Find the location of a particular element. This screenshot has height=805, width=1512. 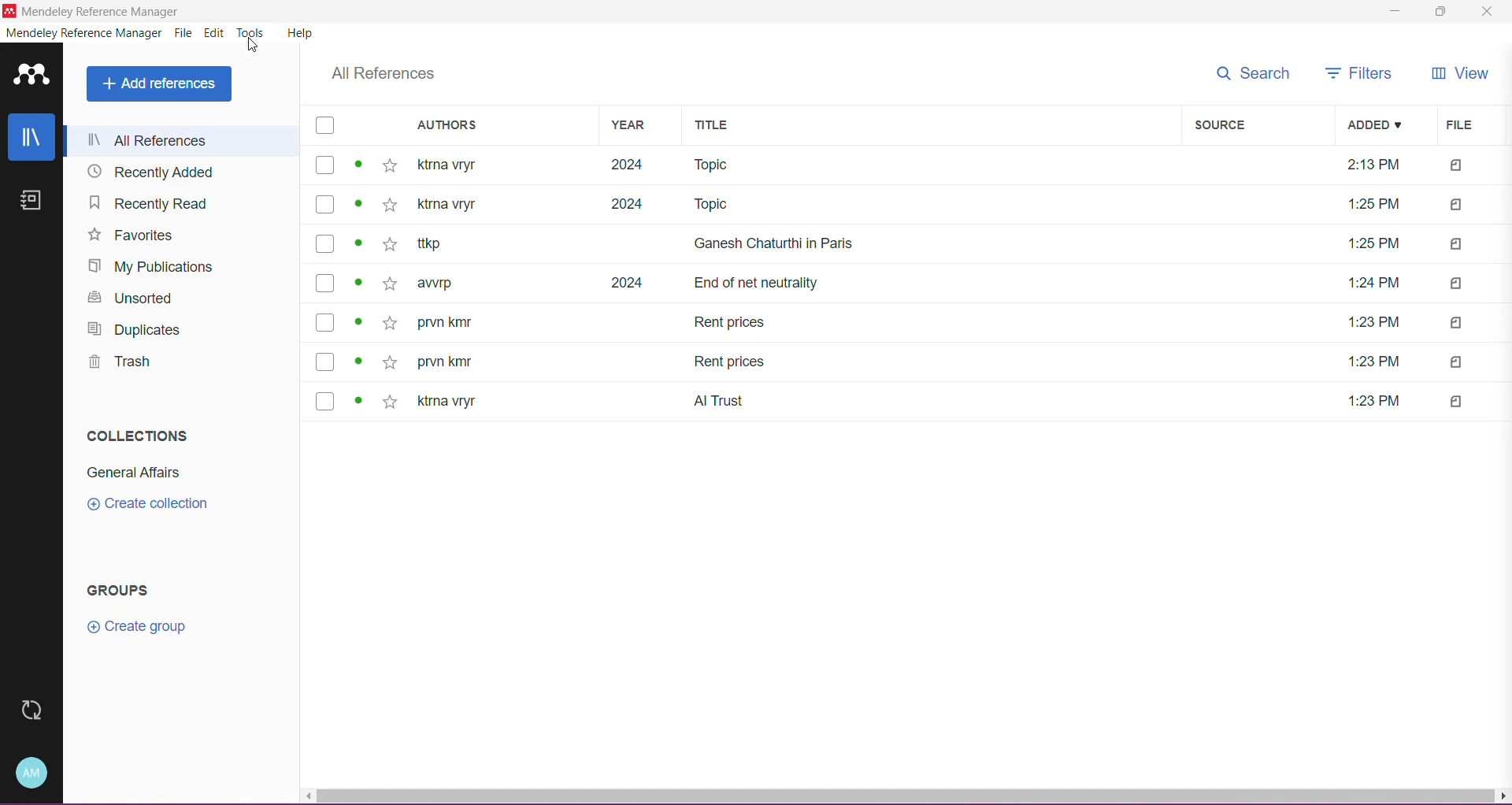

Filters is located at coordinates (1362, 75).